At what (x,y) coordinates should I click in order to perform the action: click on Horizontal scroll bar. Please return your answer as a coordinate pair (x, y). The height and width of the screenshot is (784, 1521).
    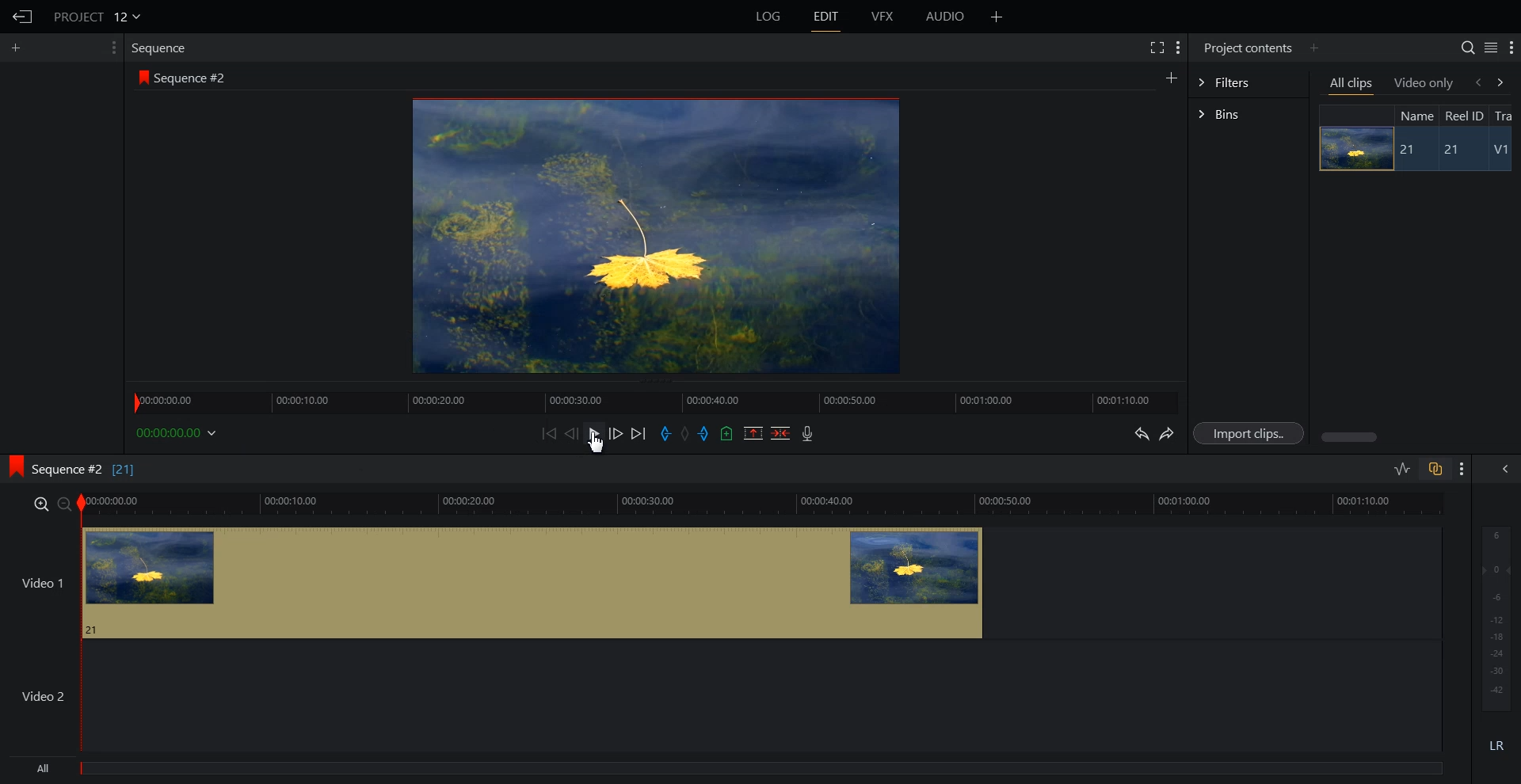
    Looking at the image, I should click on (1351, 437).